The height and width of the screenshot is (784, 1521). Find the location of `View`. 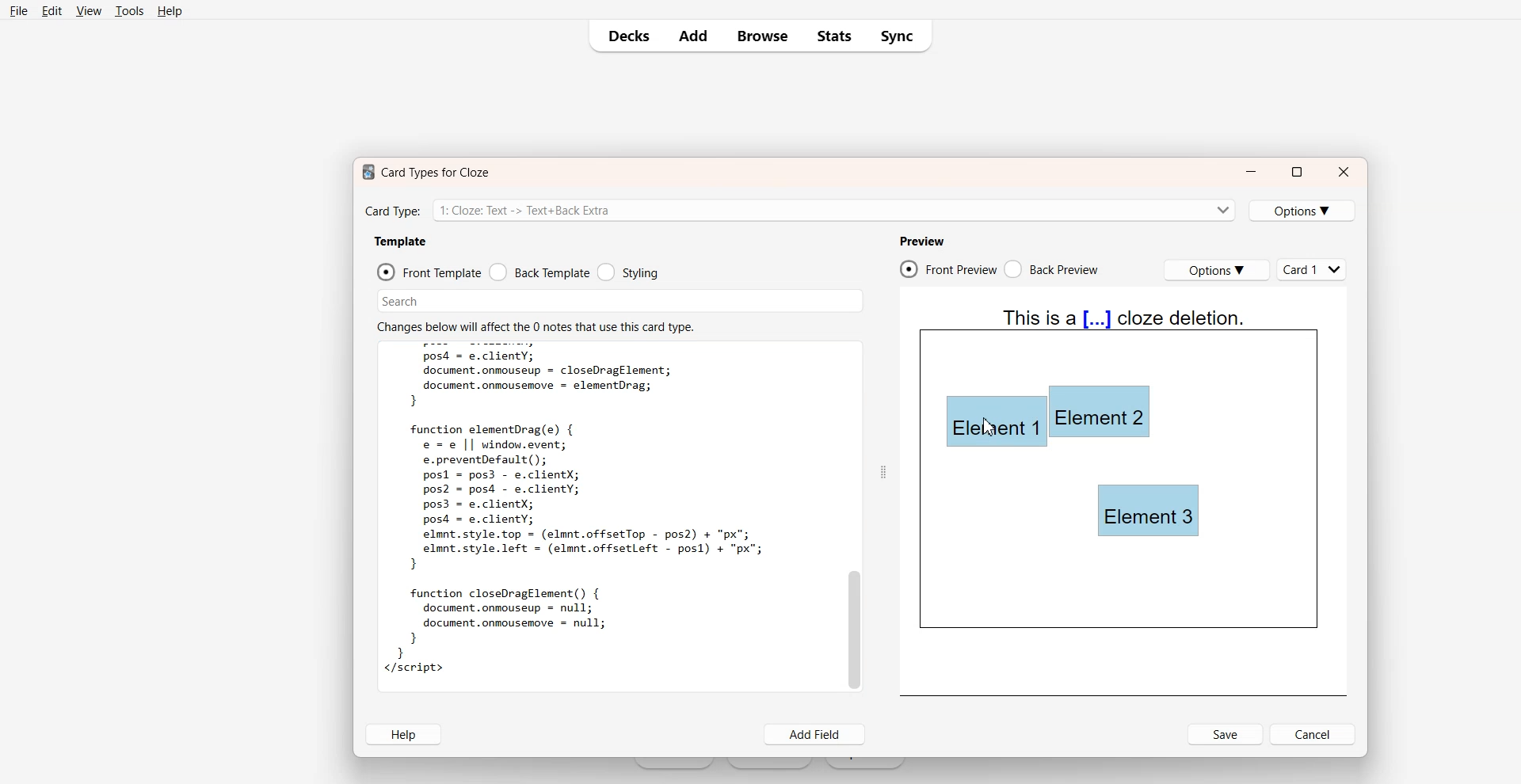

View is located at coordinates (88, 10).